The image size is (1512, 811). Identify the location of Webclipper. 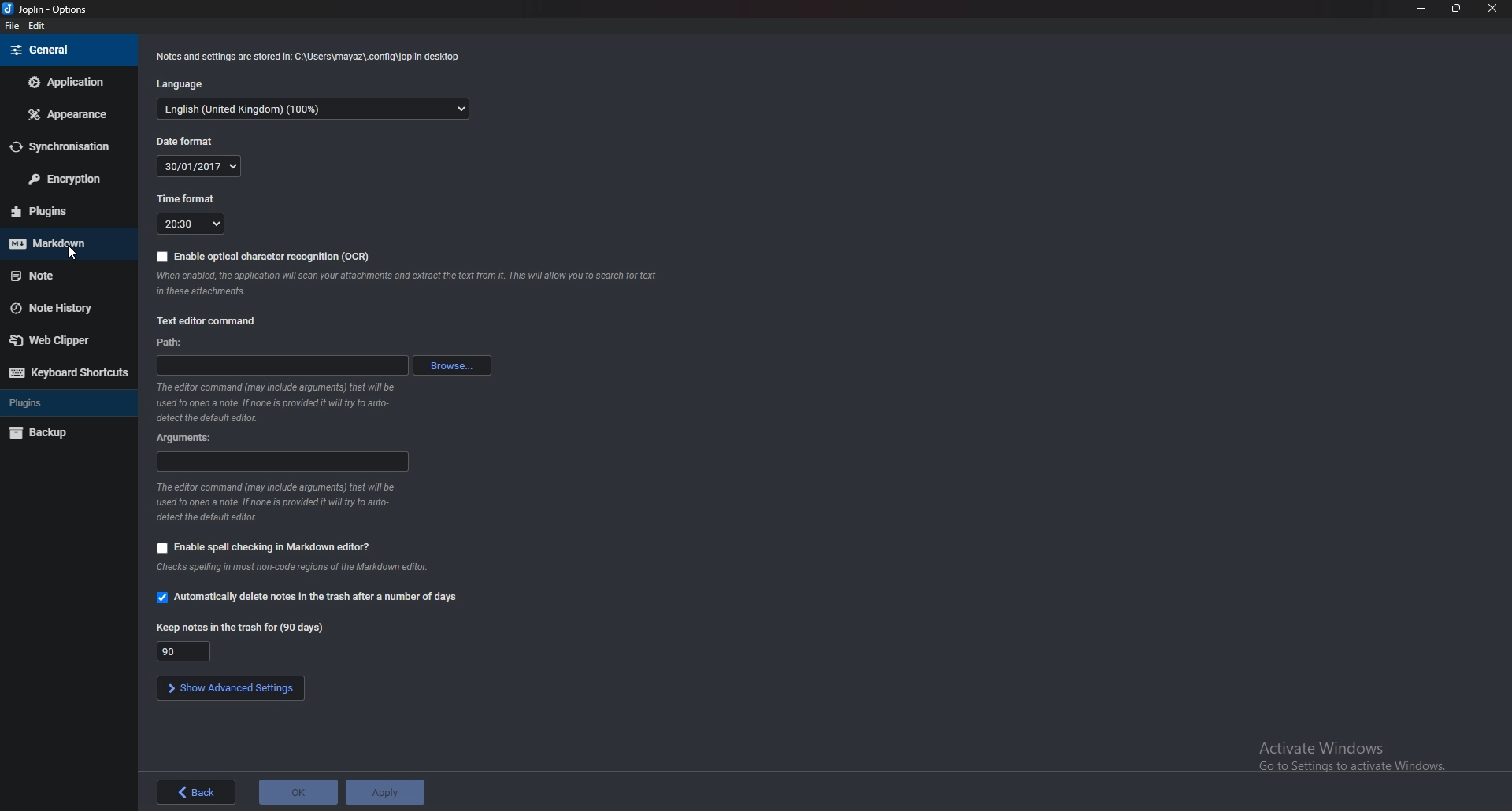
(62, 339).